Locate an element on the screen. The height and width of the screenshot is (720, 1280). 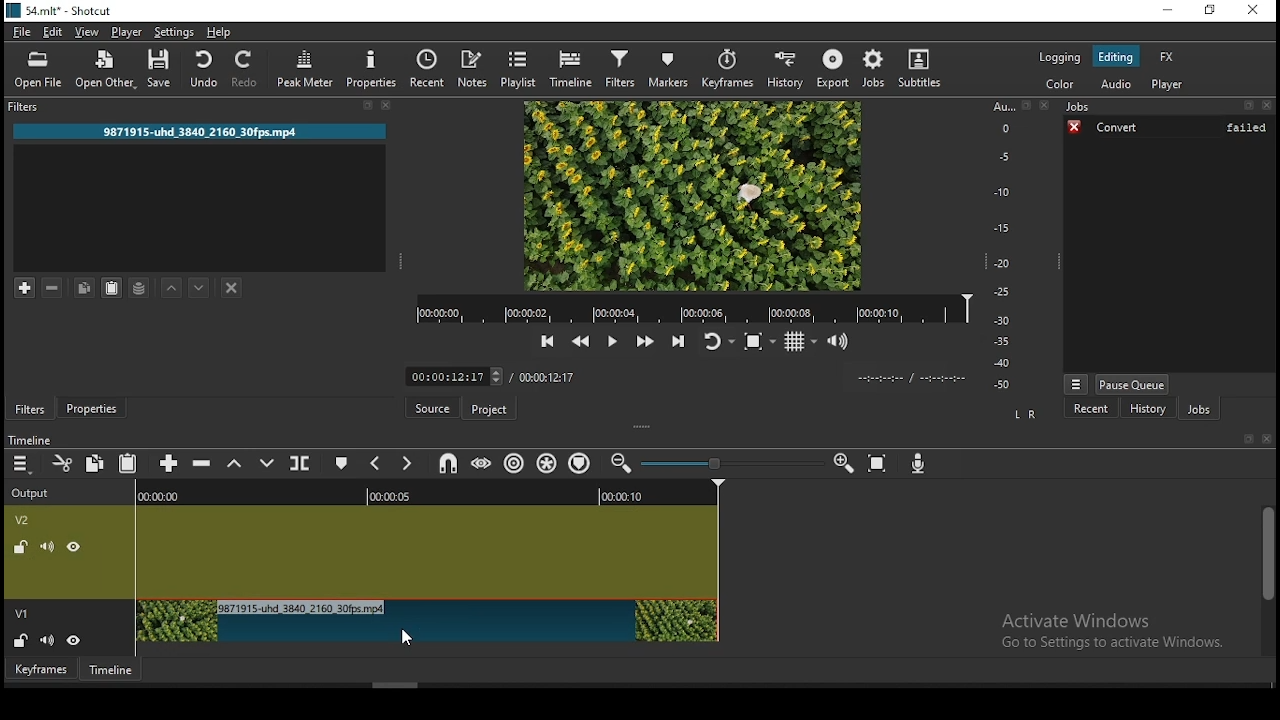
paste is located at coordinates (111, 289).